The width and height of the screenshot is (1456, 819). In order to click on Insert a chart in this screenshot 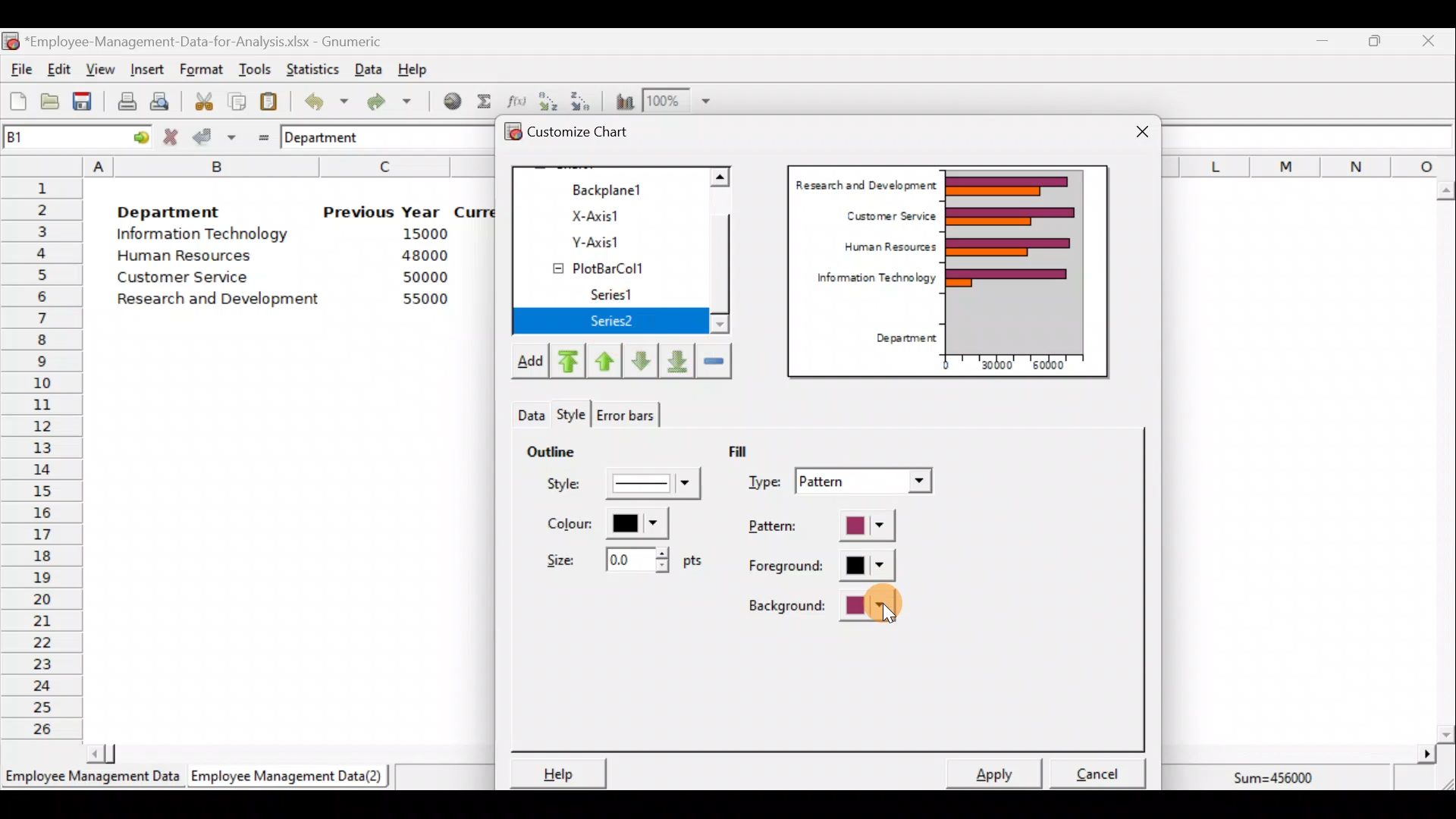, I will do `click(621, 101)`.